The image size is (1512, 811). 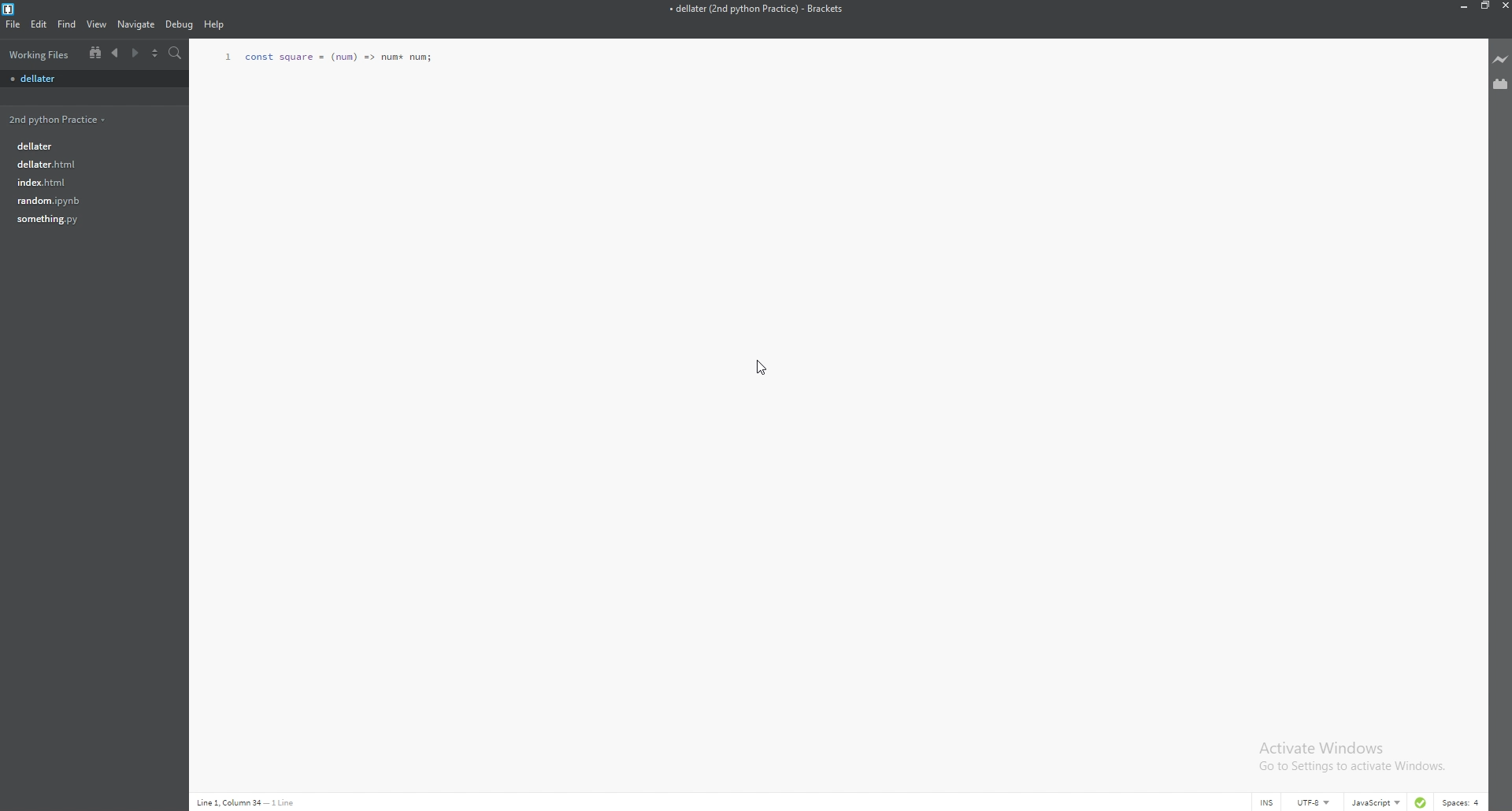 What do you see at coordinates (180, 24) in the screenshot?
I see `debug` at bounding box center [180, 24].